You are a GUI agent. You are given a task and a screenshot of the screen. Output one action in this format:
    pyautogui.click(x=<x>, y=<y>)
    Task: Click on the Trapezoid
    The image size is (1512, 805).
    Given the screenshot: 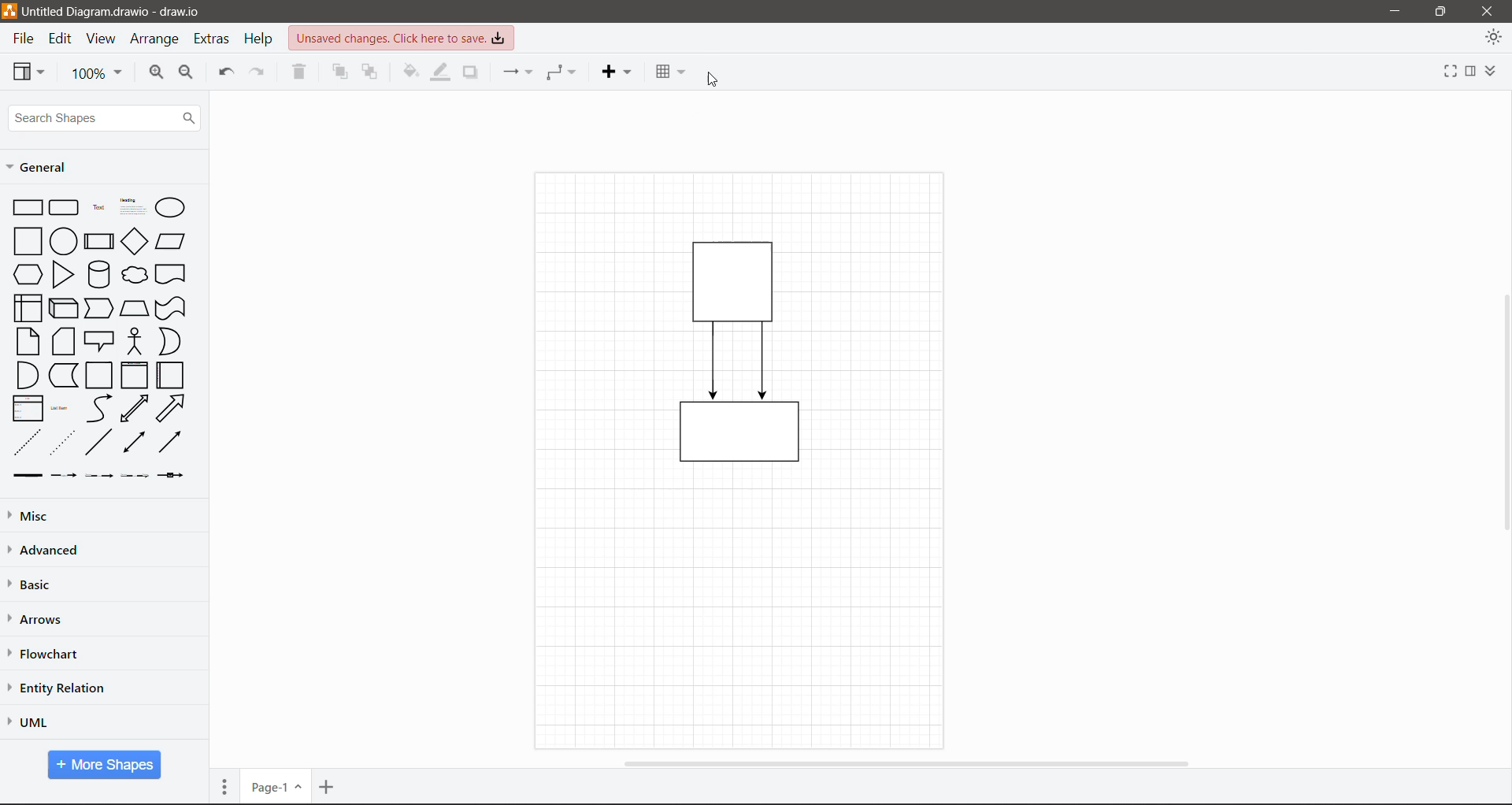 What is the action you would take?
    pyautogui.click(x=134, y=306)
    